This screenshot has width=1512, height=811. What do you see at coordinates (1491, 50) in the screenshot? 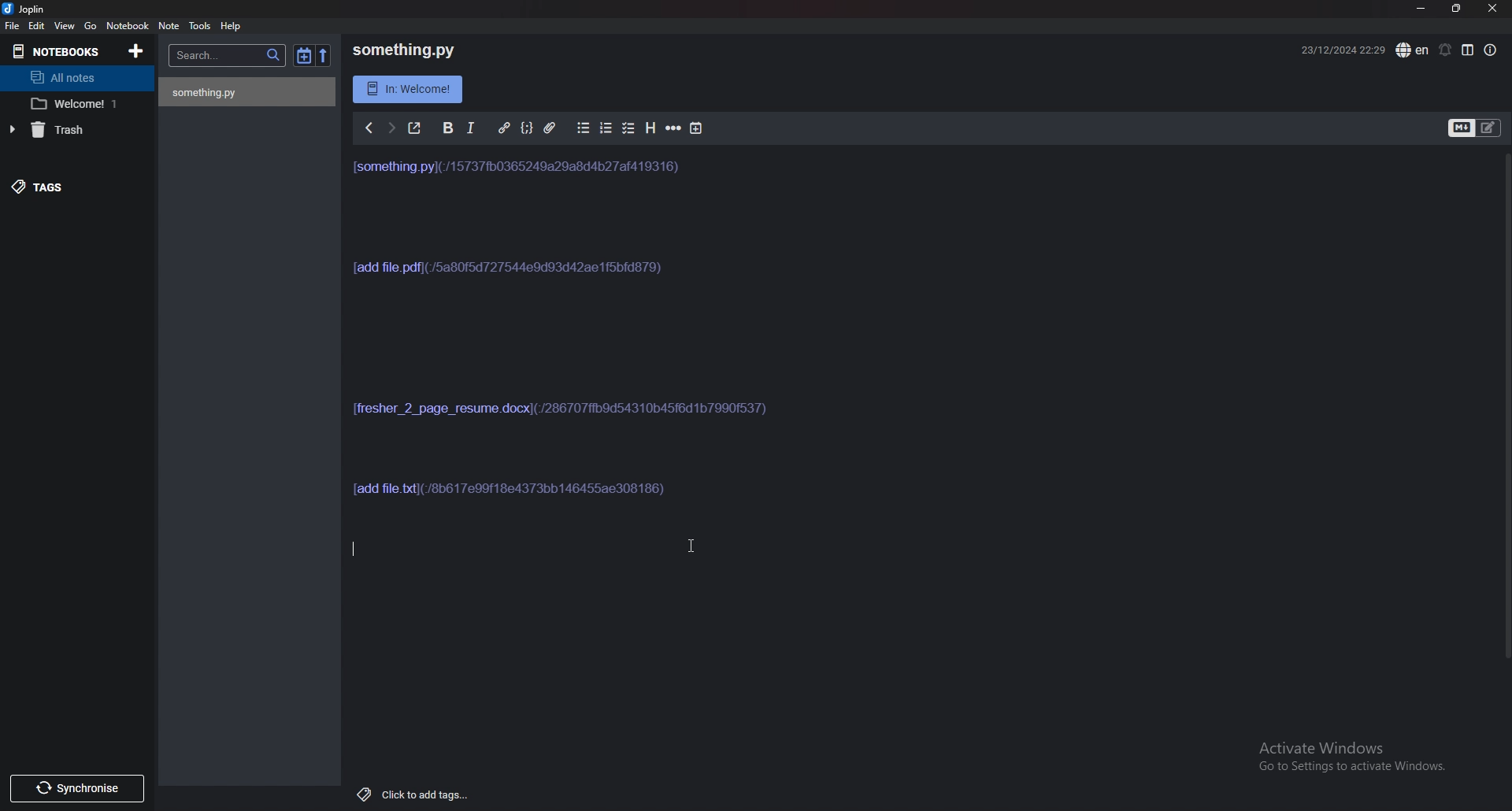
I see `Properties` at bounding box center [1491, 50].